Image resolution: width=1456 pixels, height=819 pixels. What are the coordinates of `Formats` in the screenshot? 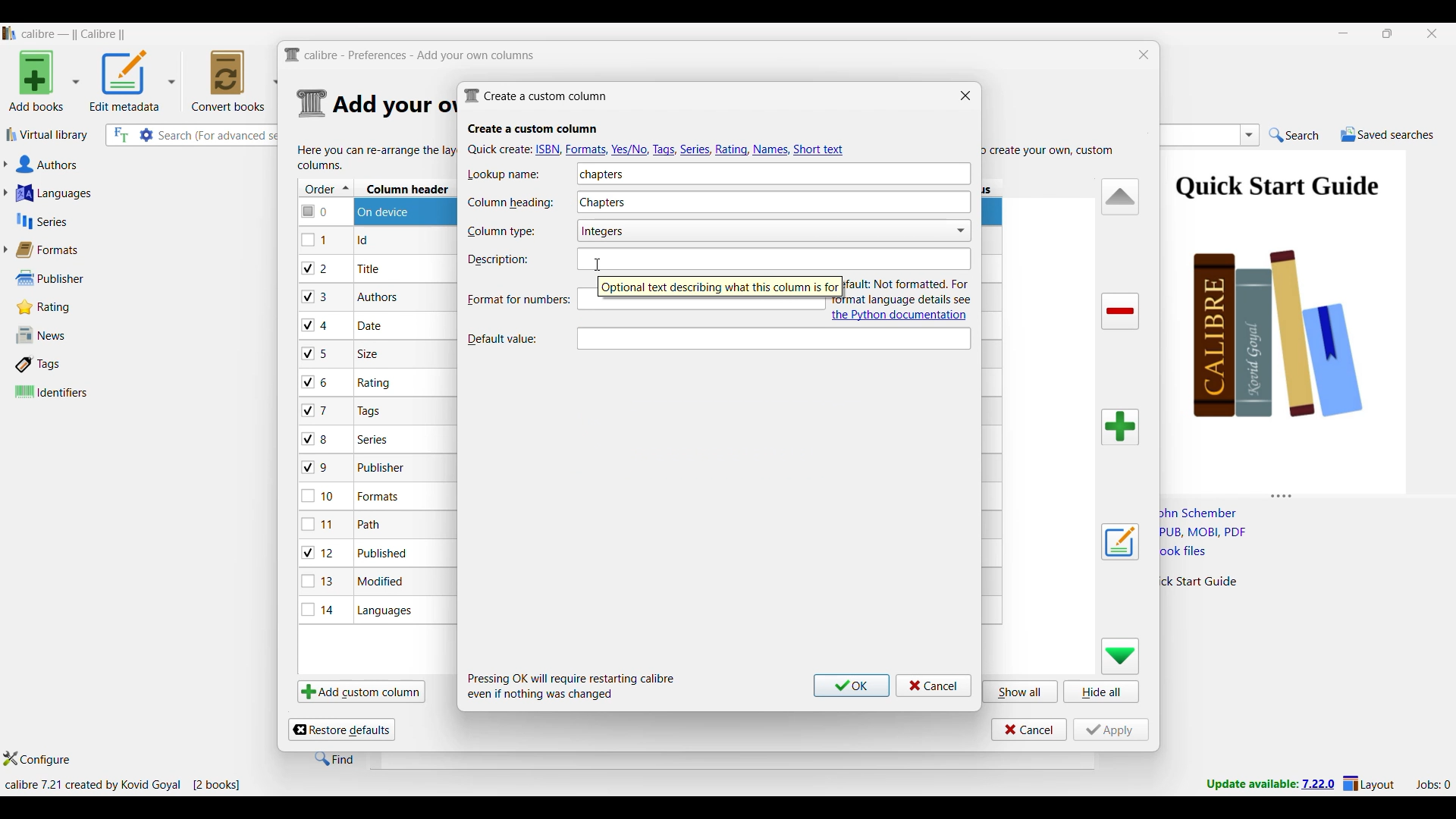 It's located at (54, 249).